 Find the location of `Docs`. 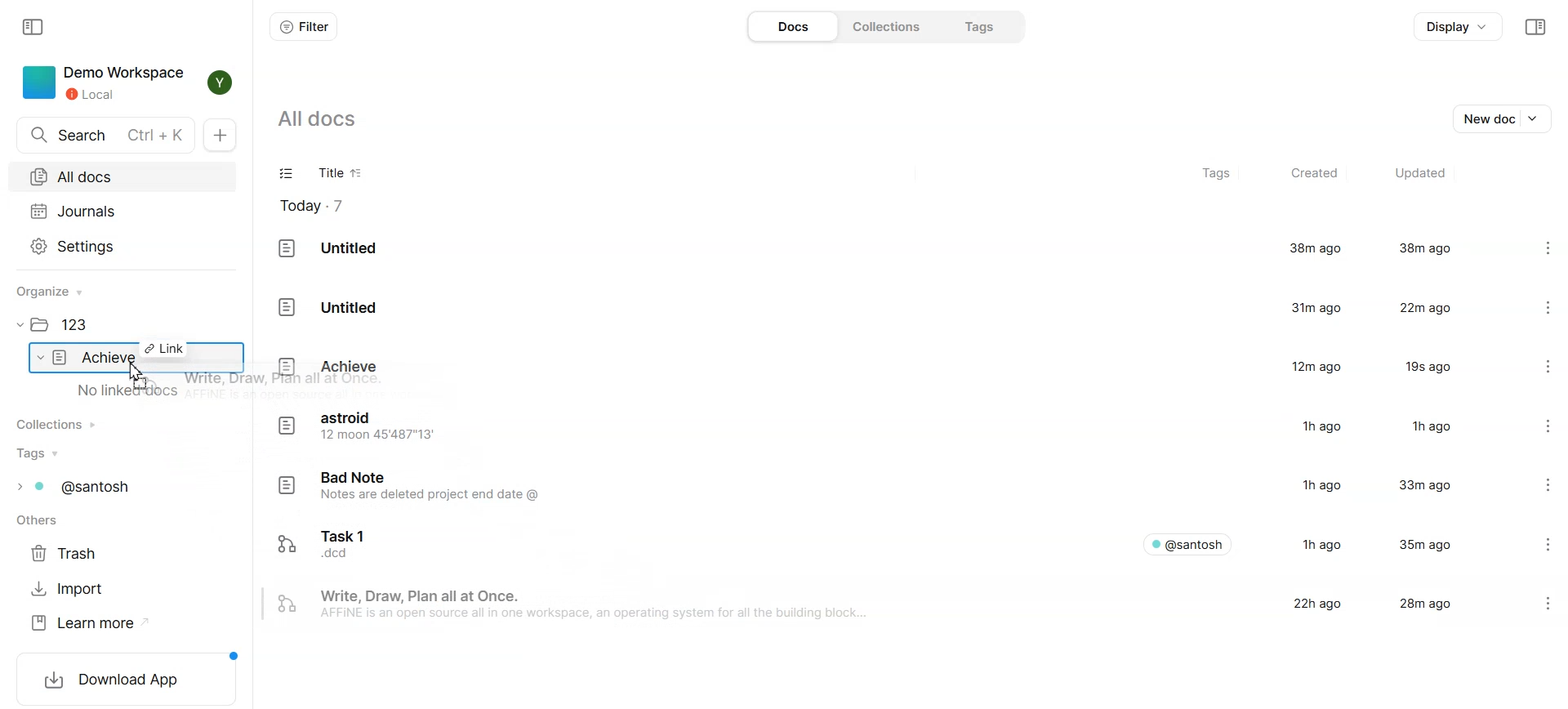

Docs is located at coordinates (791, 26).